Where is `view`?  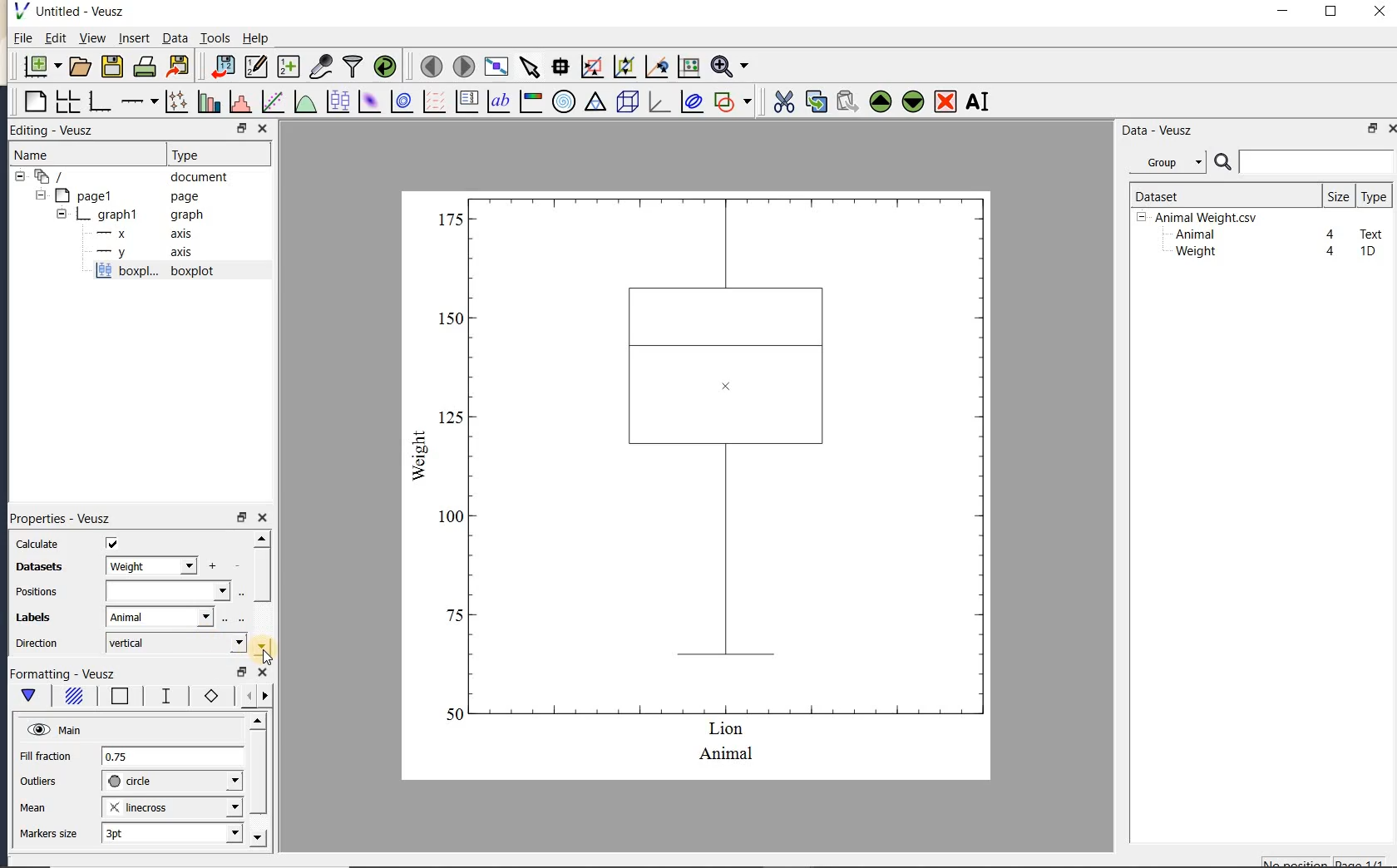
view is located at coordinates (91, 40).